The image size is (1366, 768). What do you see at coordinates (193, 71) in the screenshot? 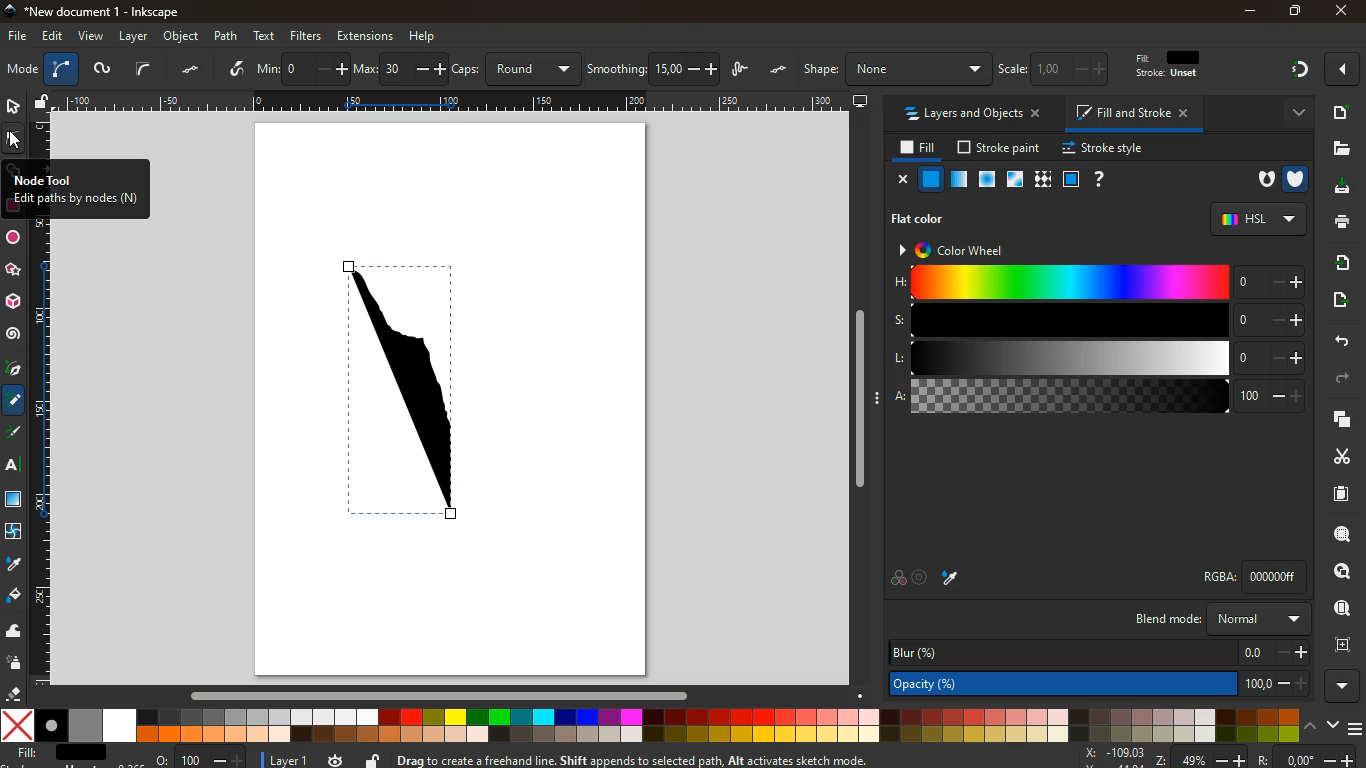
I see `dot` at bounding box center [193, 71].